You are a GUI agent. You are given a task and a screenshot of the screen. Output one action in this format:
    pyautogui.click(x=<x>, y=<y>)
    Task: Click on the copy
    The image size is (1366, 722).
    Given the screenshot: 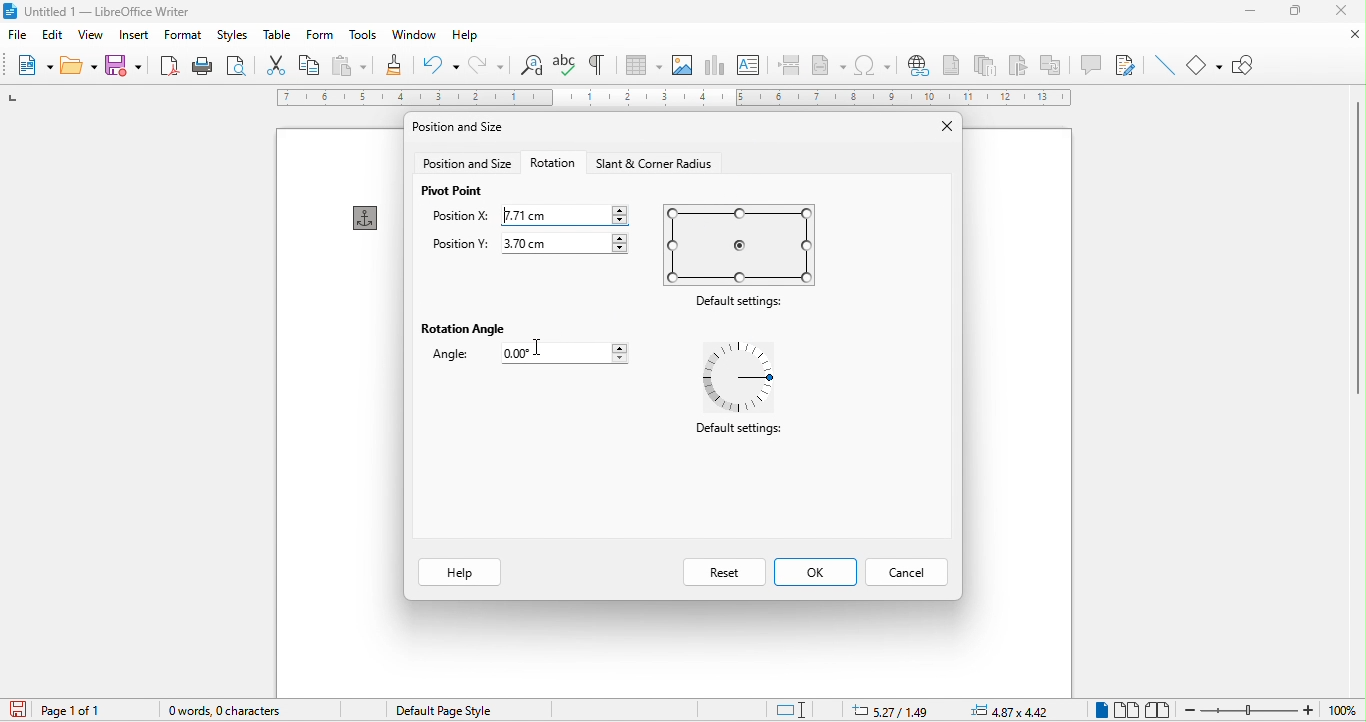 What is the action you would take?
    pyautogui.click(x=310, y=66)
    